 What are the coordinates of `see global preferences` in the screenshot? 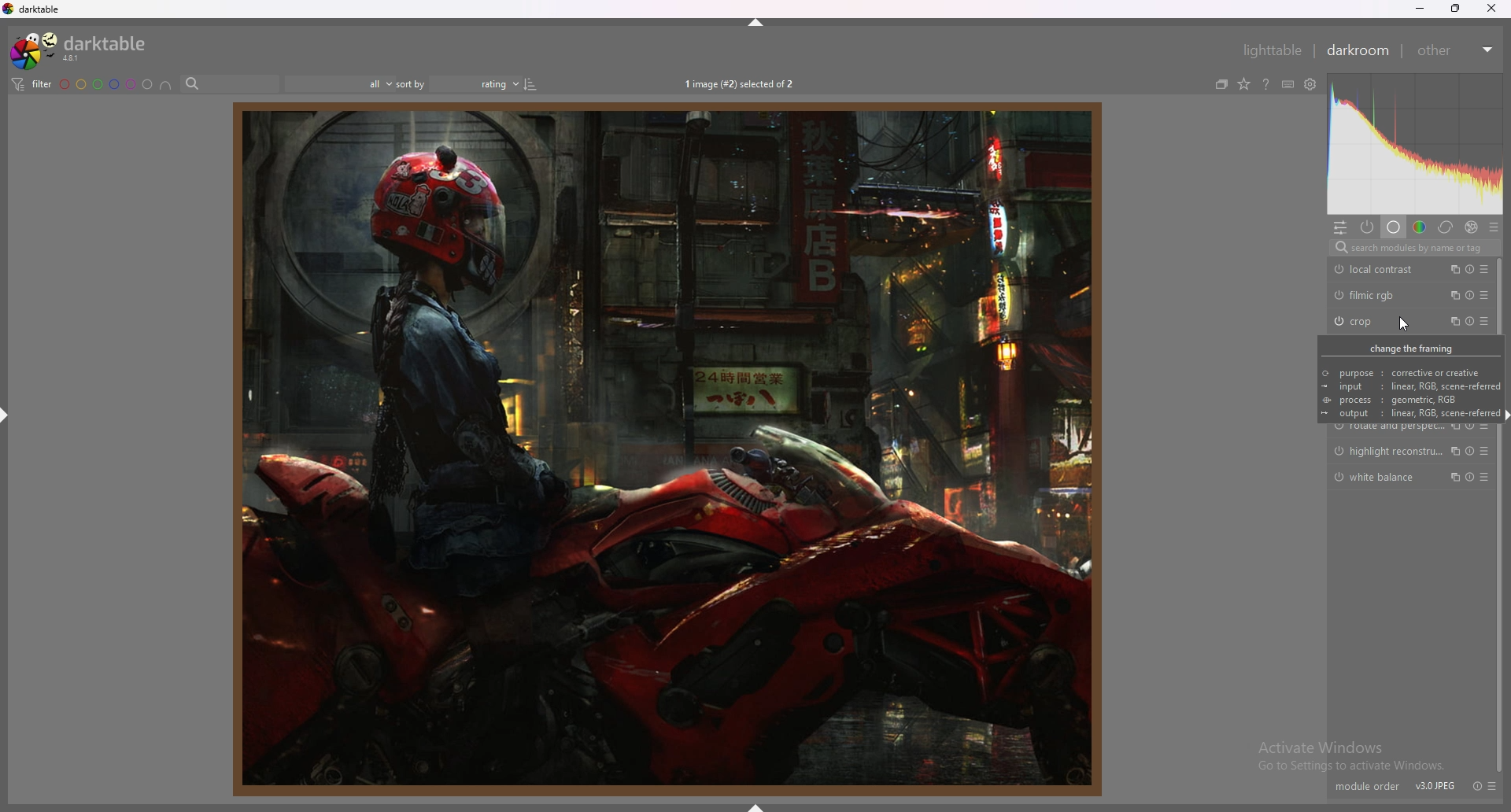 It's located at (1312, 84).